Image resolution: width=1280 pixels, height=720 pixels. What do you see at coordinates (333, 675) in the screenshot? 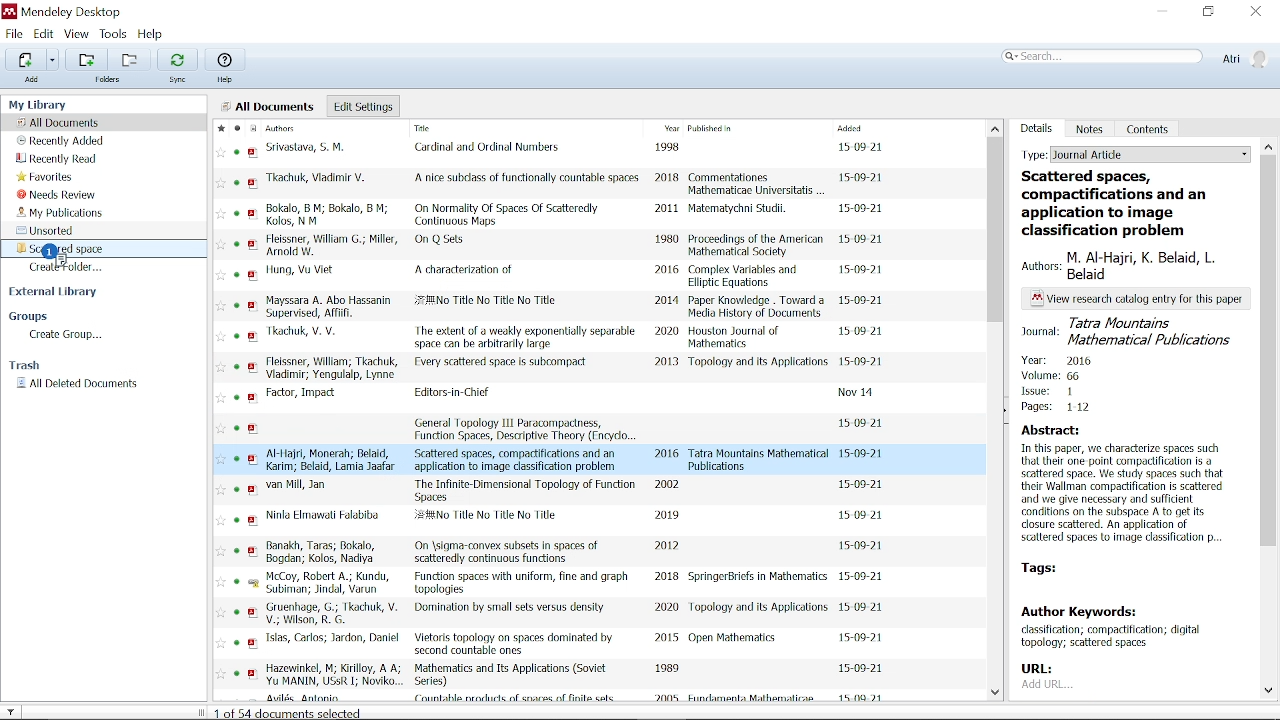
I see `authors` at bounding box center [333, 675].